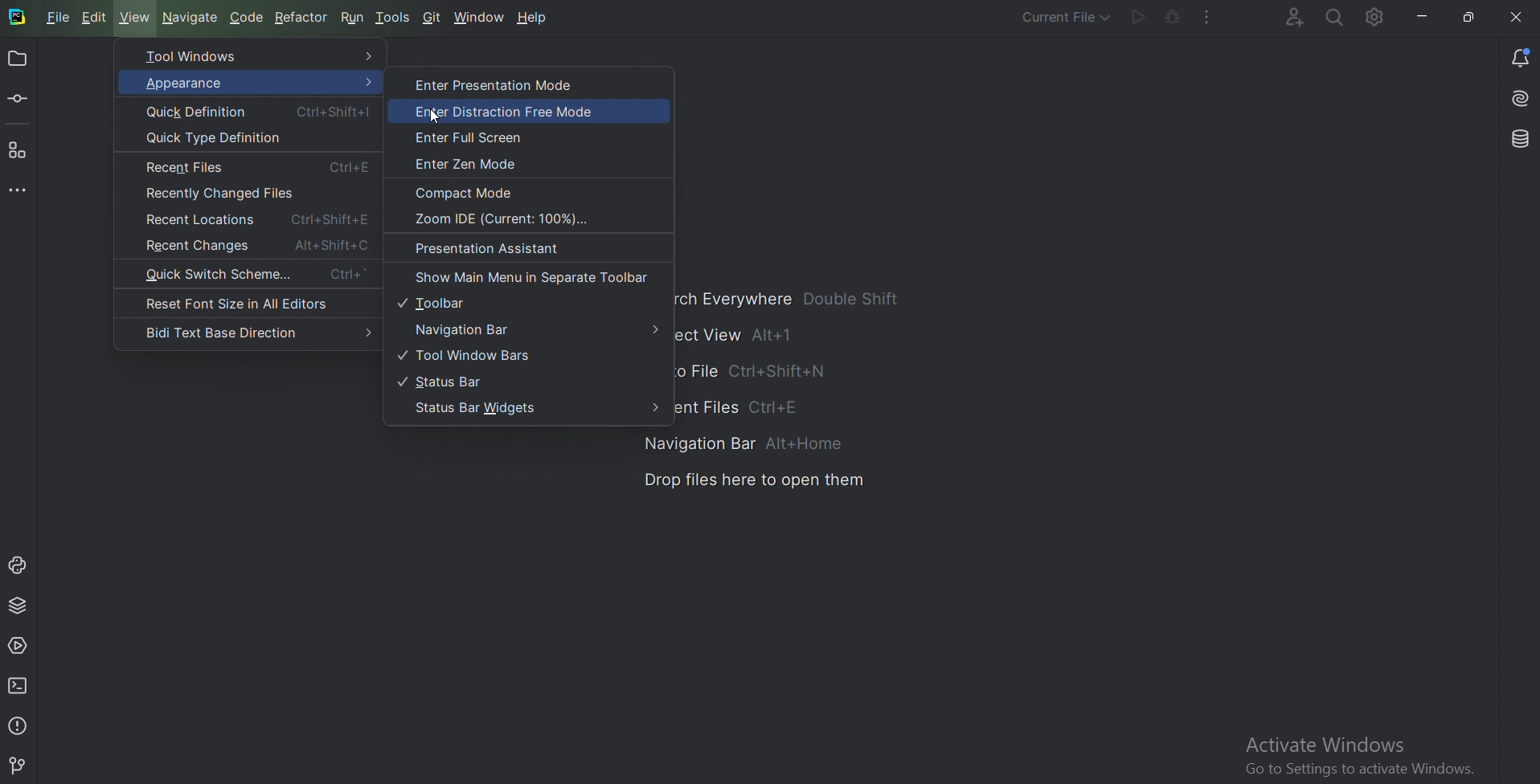  Describe the element at coordinates (434, 16) in the screenshot. I see `Git` at that location.